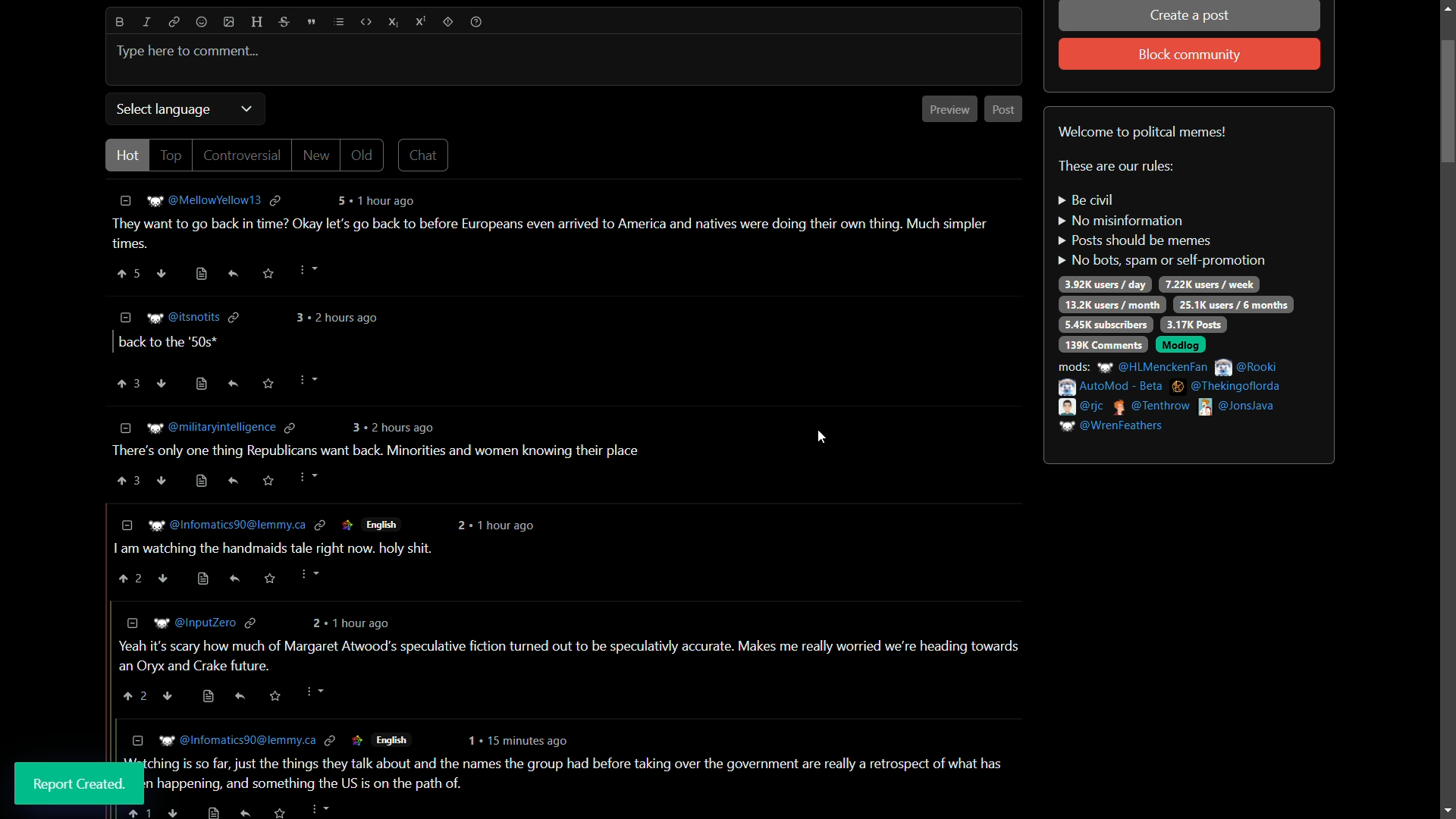  Describe the element at coordinates (424, 155) in the screenshot. I see `chat` at that location.